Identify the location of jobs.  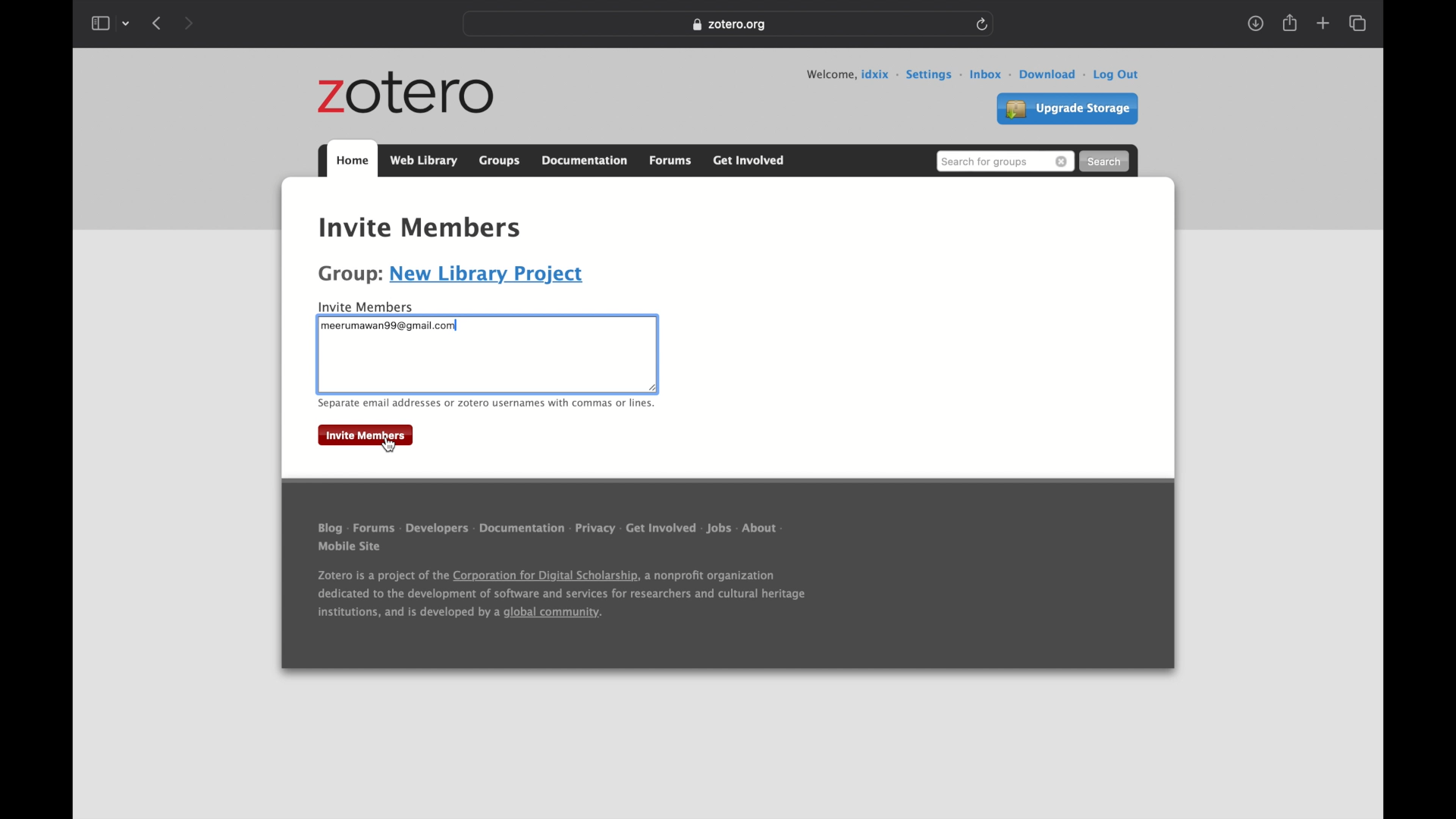
(718, 529).